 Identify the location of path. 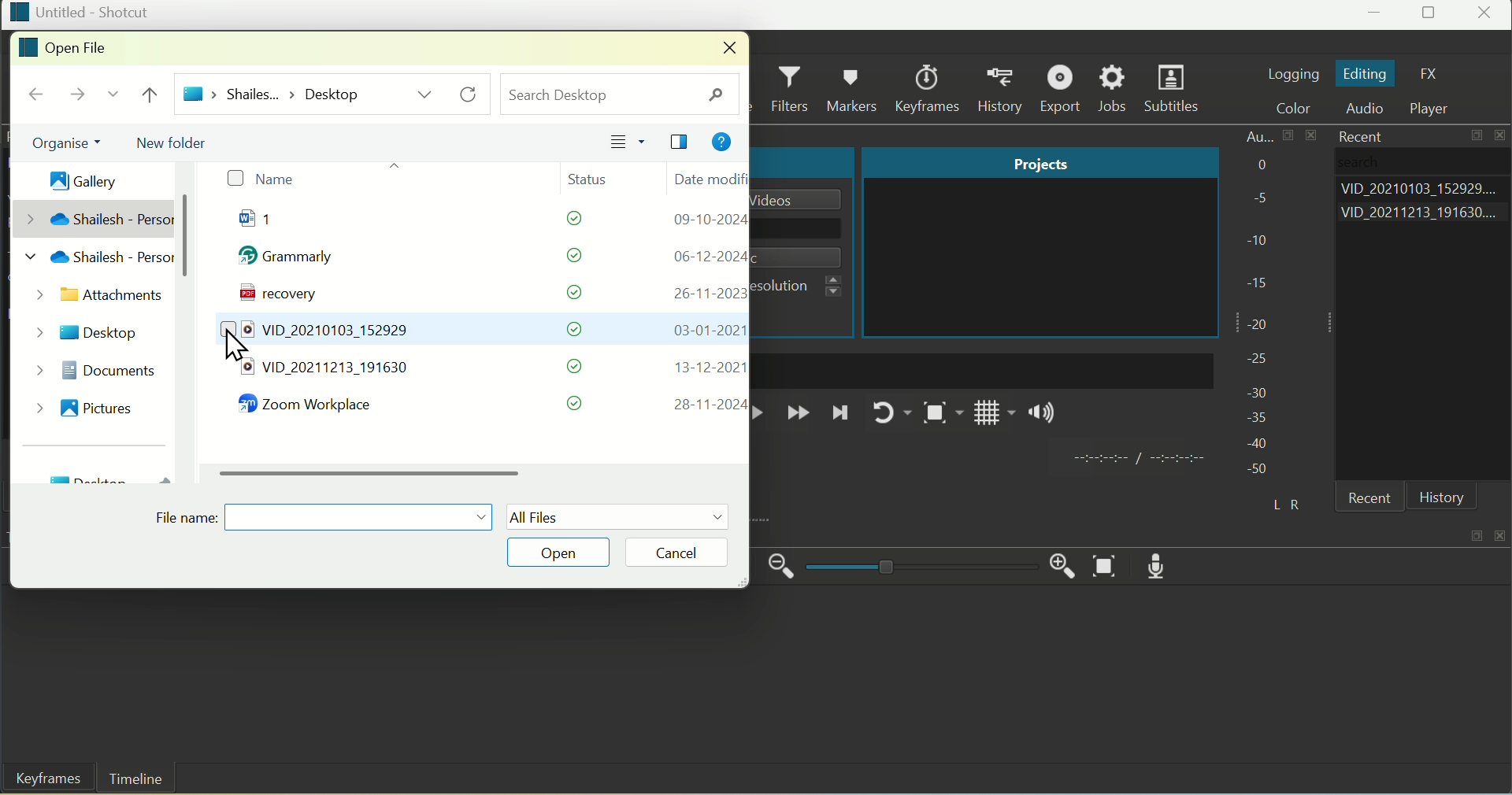
(272, 93).